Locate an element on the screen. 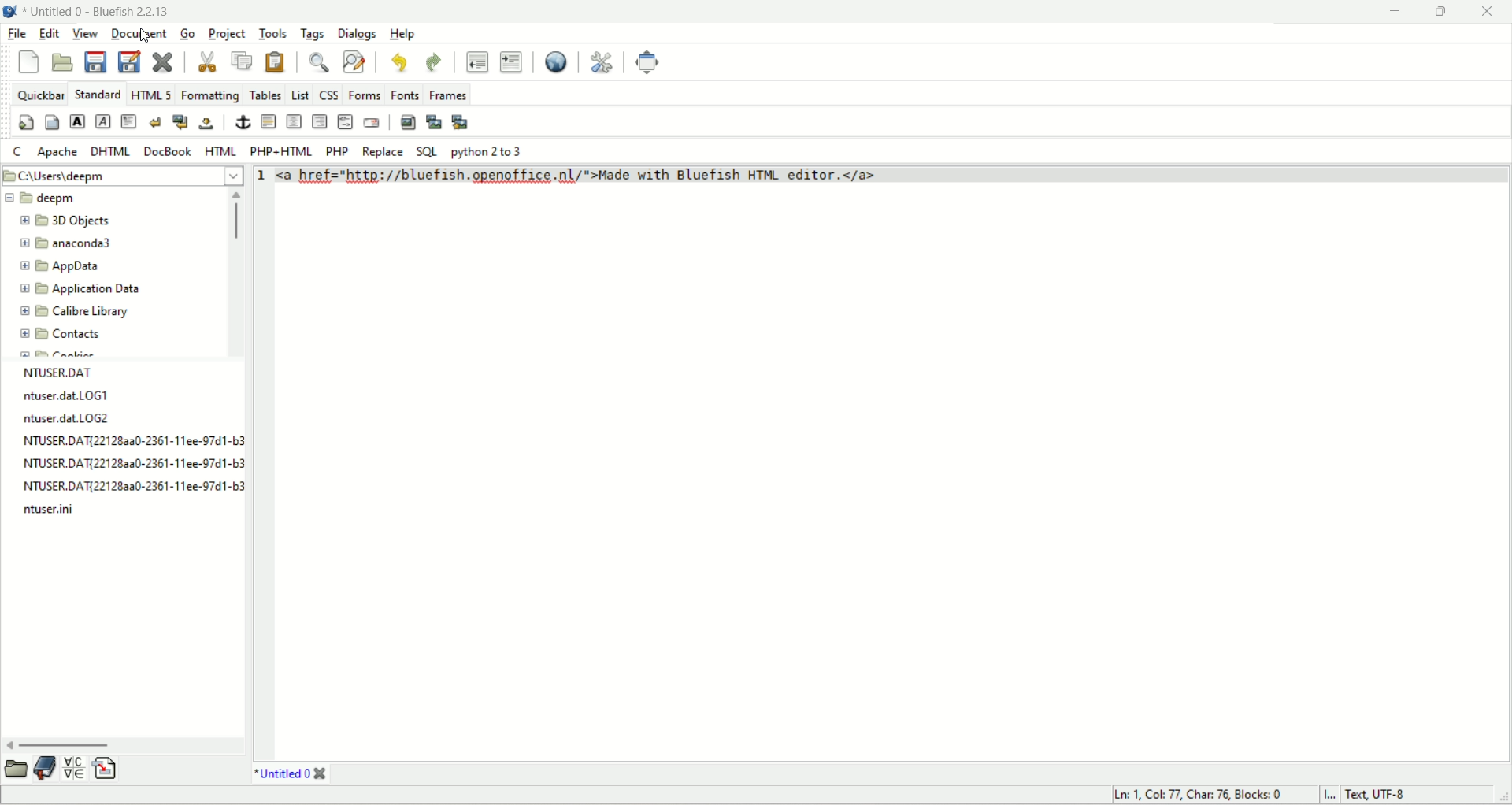 This screenshot has width=1512, height=805. file is located at coordinates (17, 34).